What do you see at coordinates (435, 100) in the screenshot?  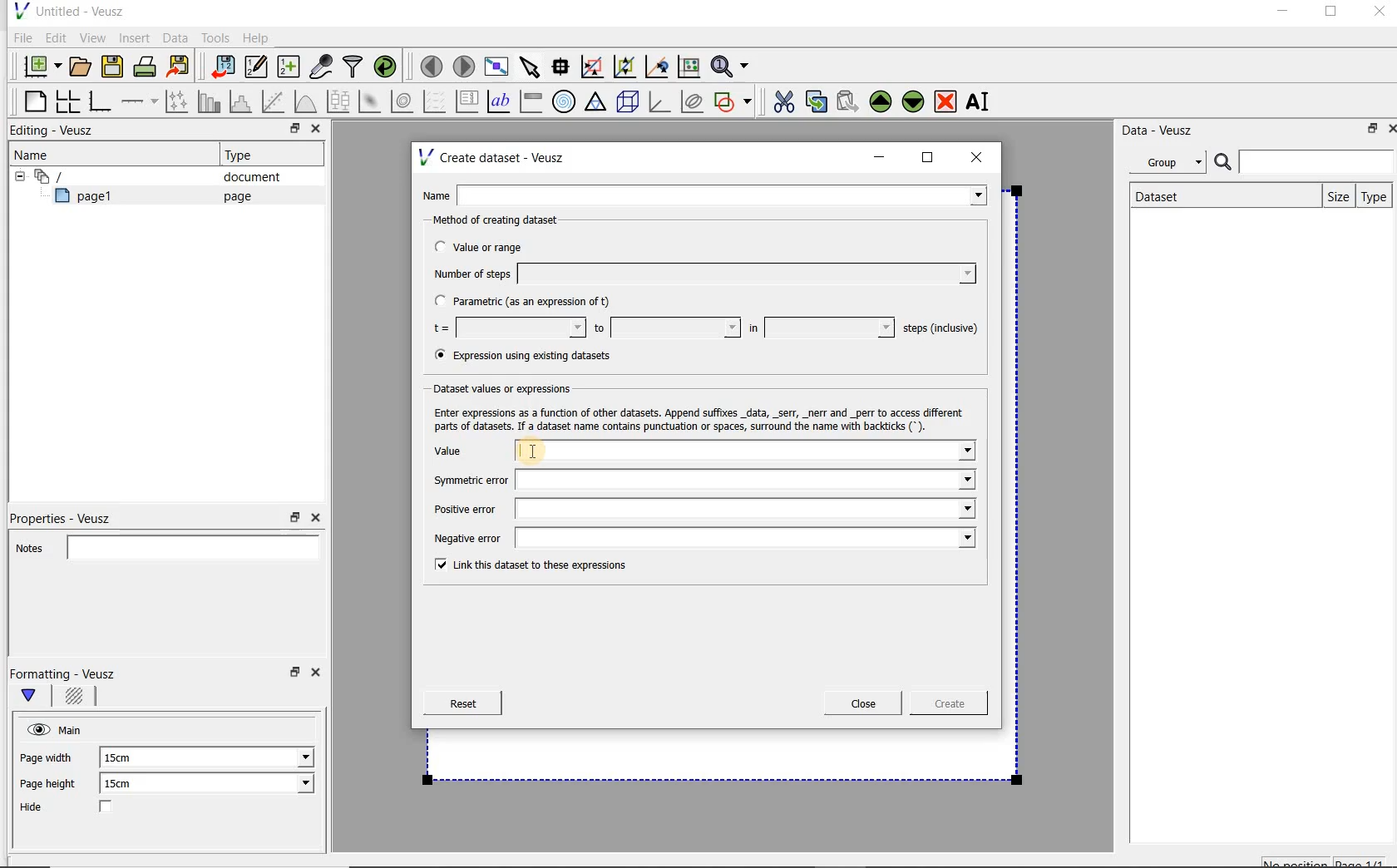 I see `plot a vector field` at bounding box center [435, 100].